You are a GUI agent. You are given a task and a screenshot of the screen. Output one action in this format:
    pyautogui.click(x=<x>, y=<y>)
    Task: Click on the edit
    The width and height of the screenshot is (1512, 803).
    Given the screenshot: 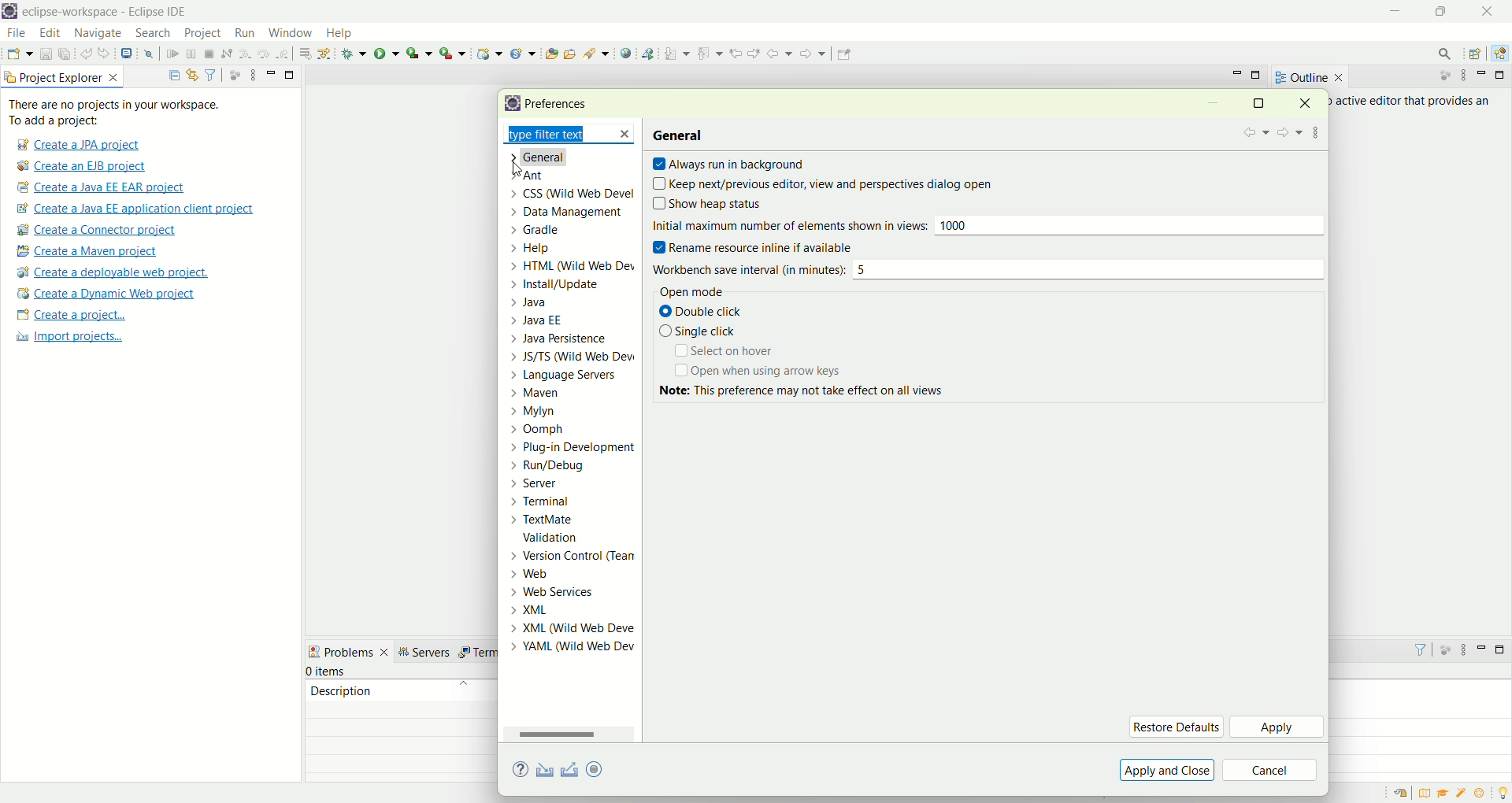 What is the action you would take?
    pyautogui.click(x=48, y=34)
    